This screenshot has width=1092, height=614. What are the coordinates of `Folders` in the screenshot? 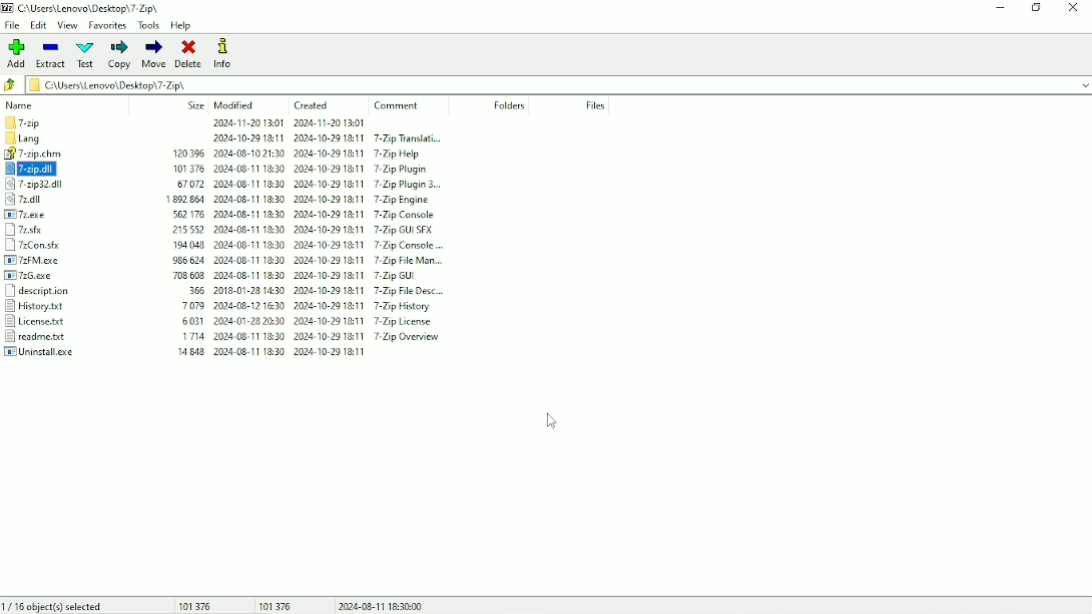 It's located at (508, 106).